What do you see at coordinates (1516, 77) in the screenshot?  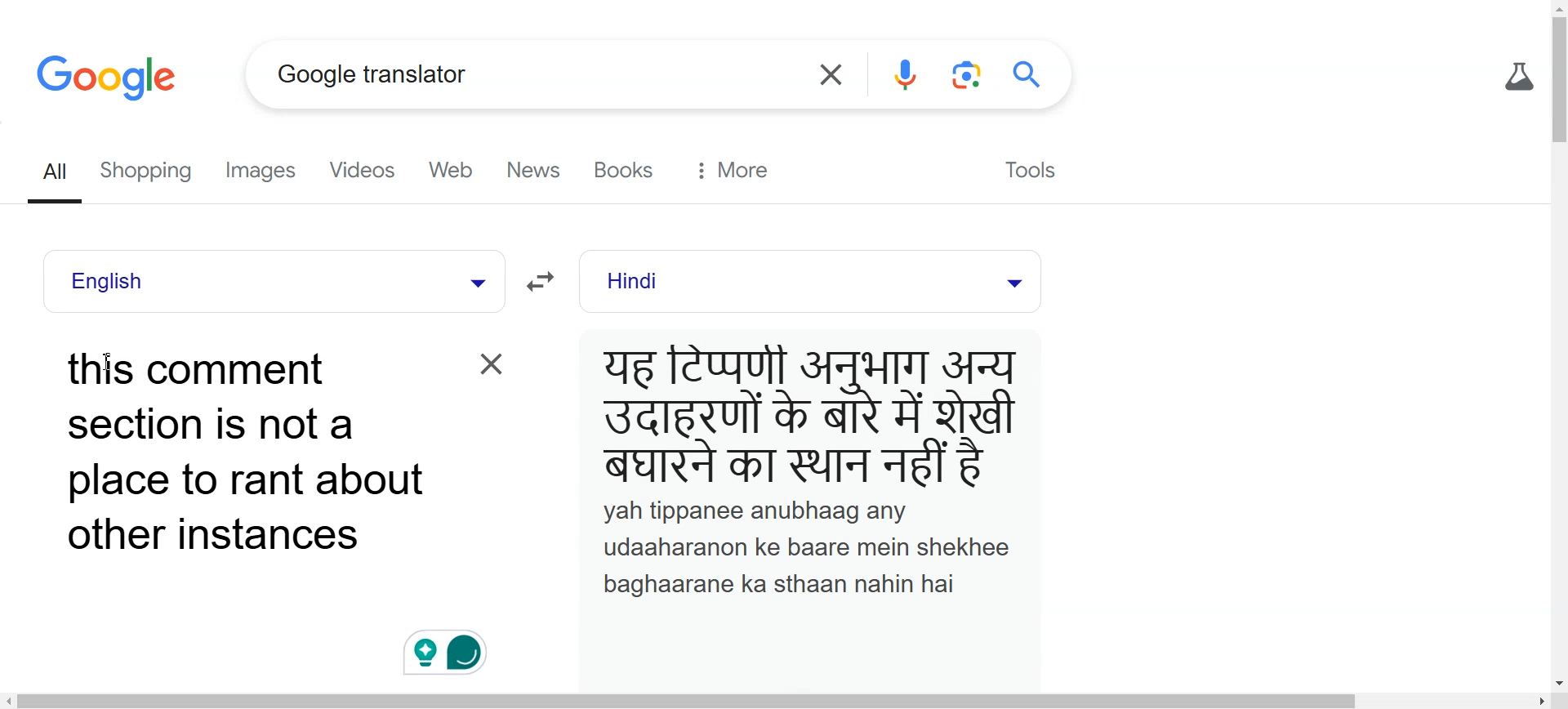 I see `Search labs` at bounding box center [1516, 77].